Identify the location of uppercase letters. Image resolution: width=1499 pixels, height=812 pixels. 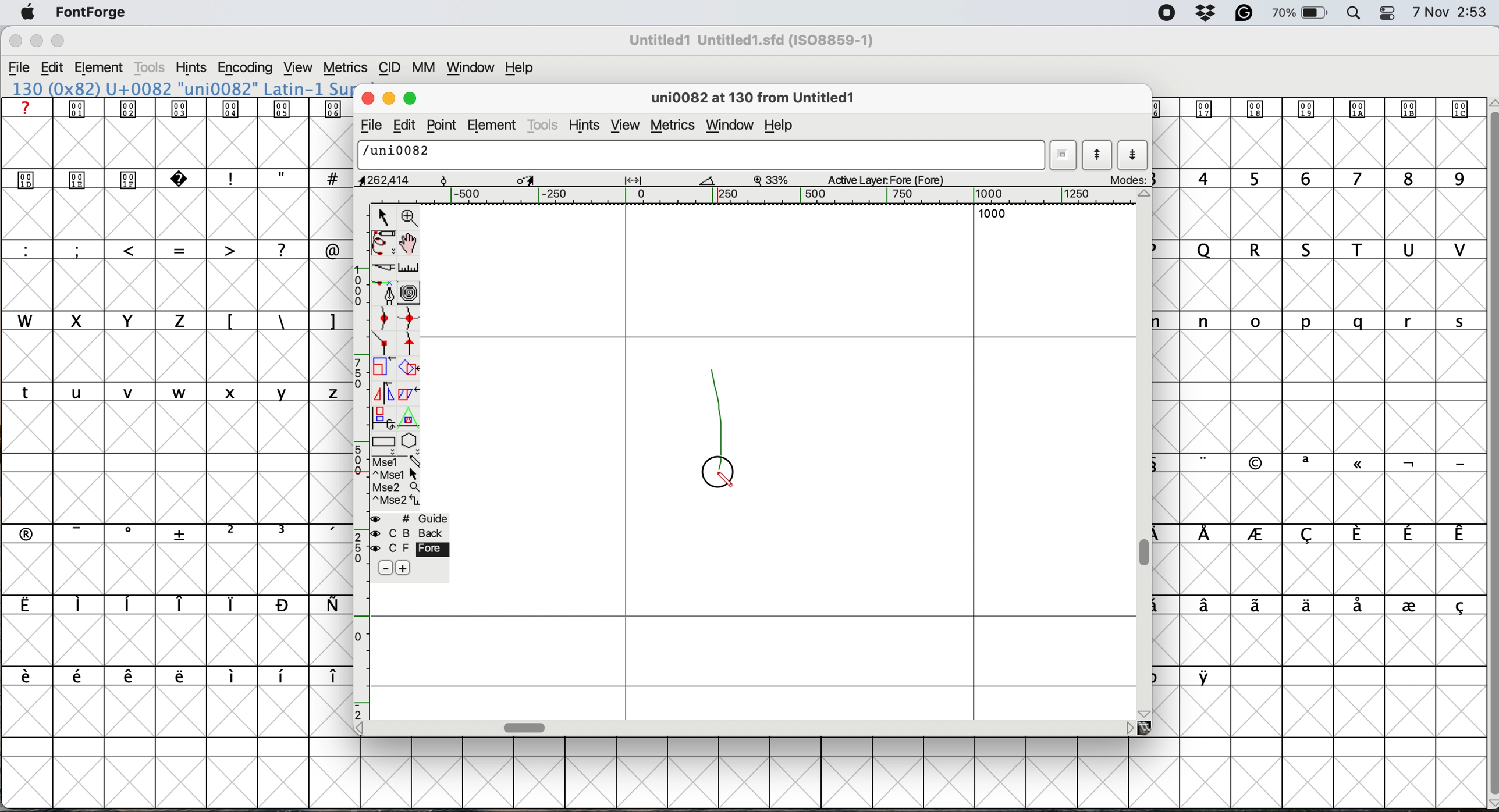
(1319, 251).